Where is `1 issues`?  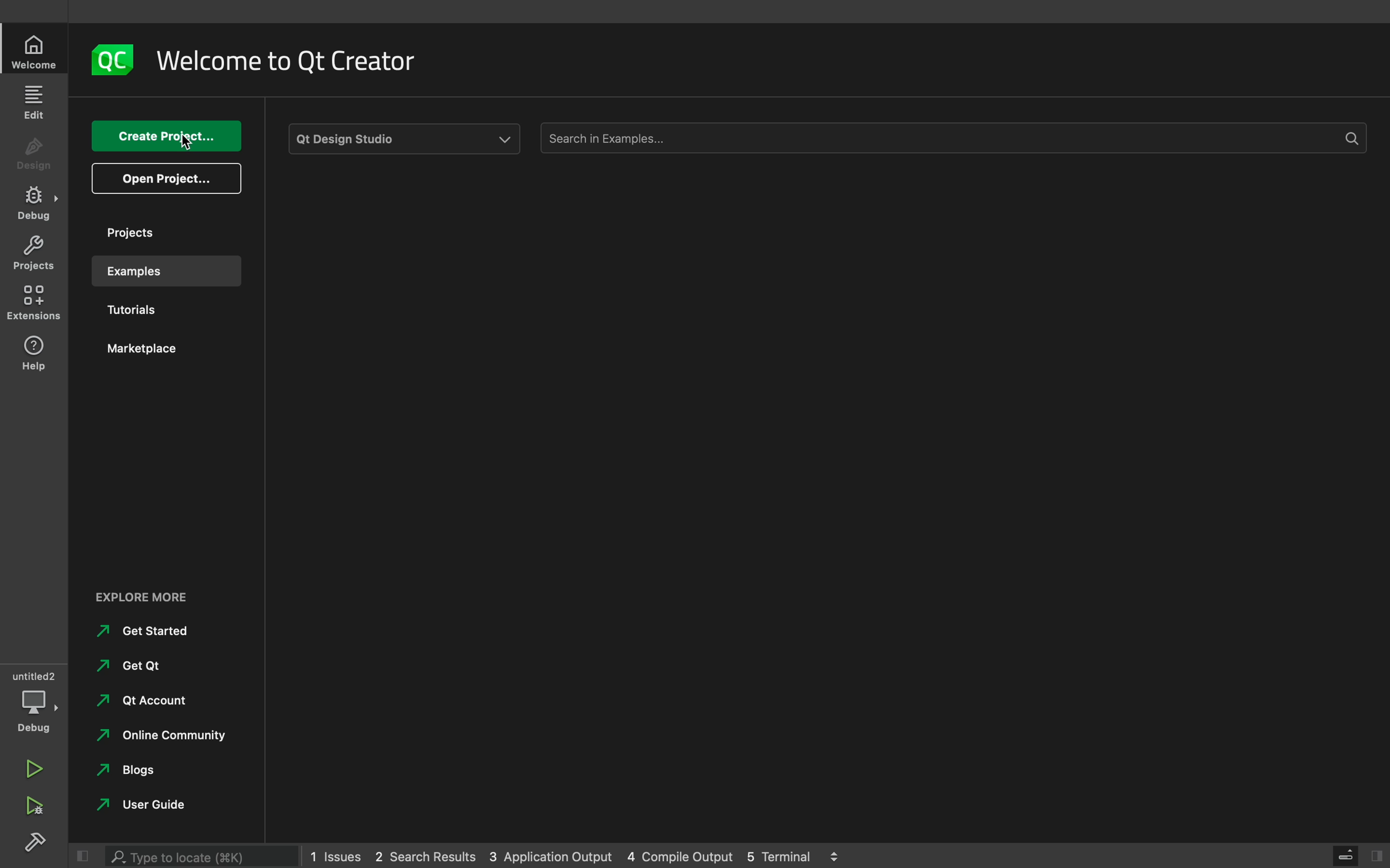
1 issues is located at coordinates (335, 854).